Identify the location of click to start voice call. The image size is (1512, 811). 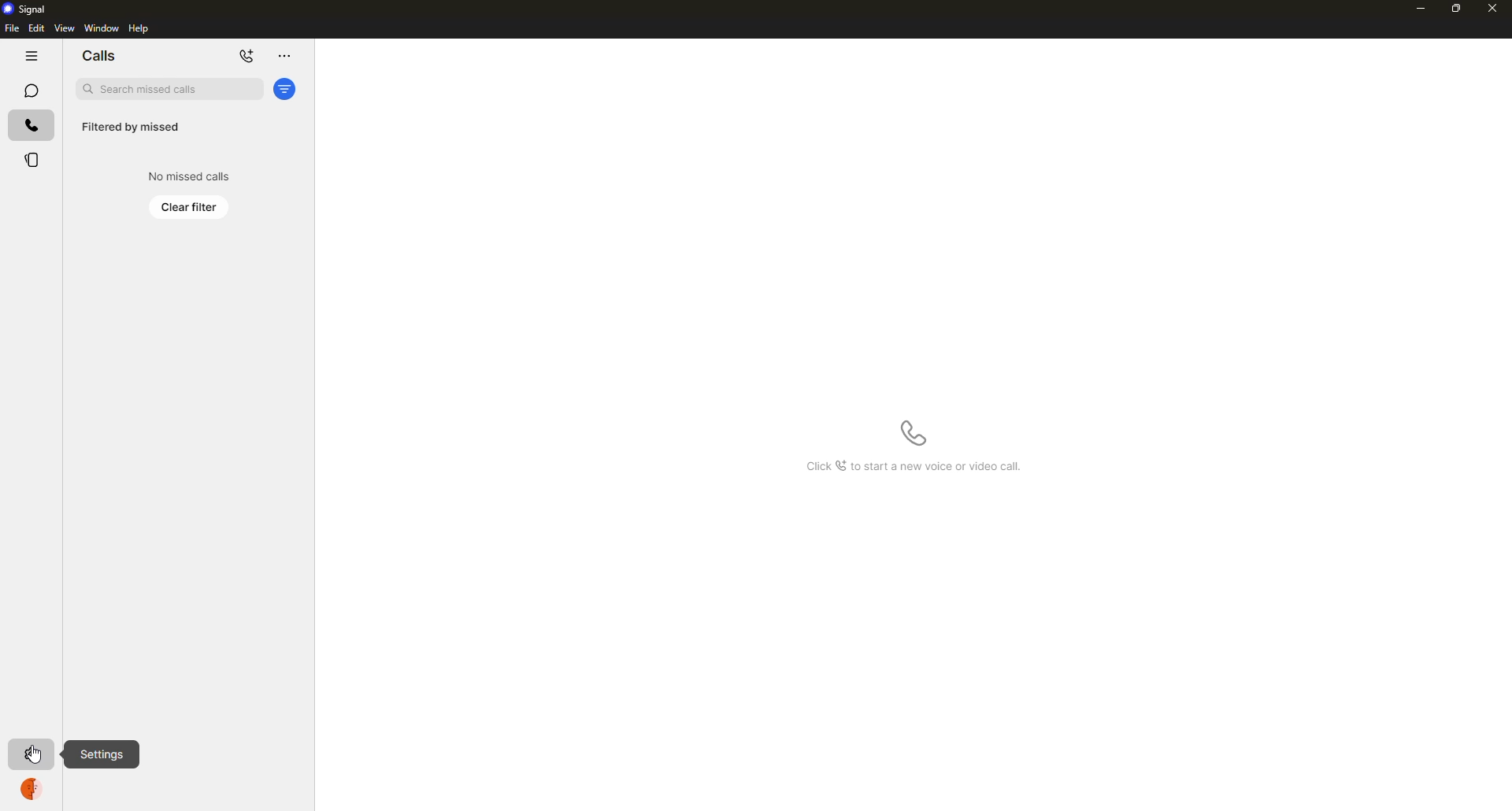
(913, 433).